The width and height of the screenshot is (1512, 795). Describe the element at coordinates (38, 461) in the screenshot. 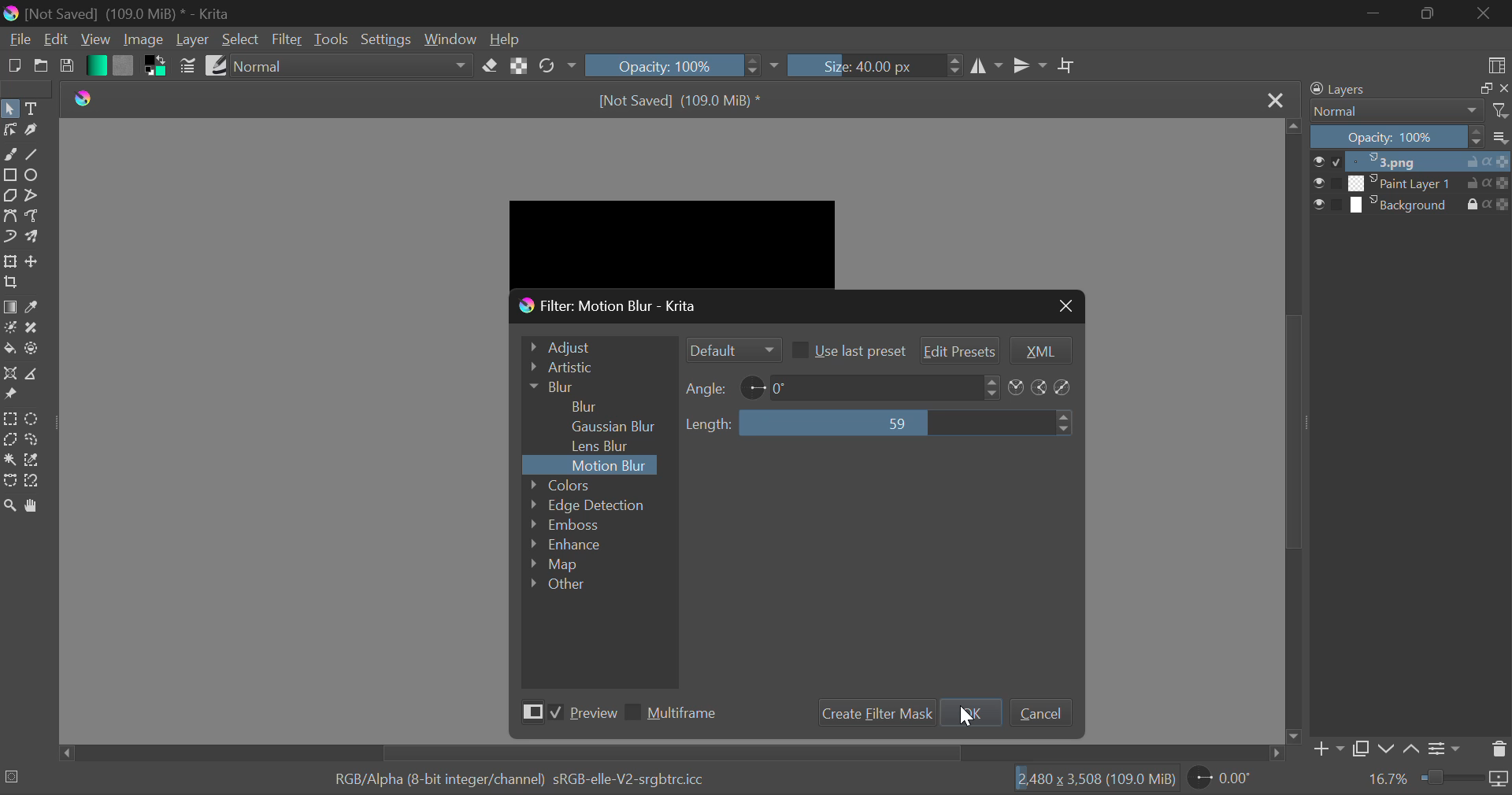

I see `Similar Color Selection Tool` at that location.